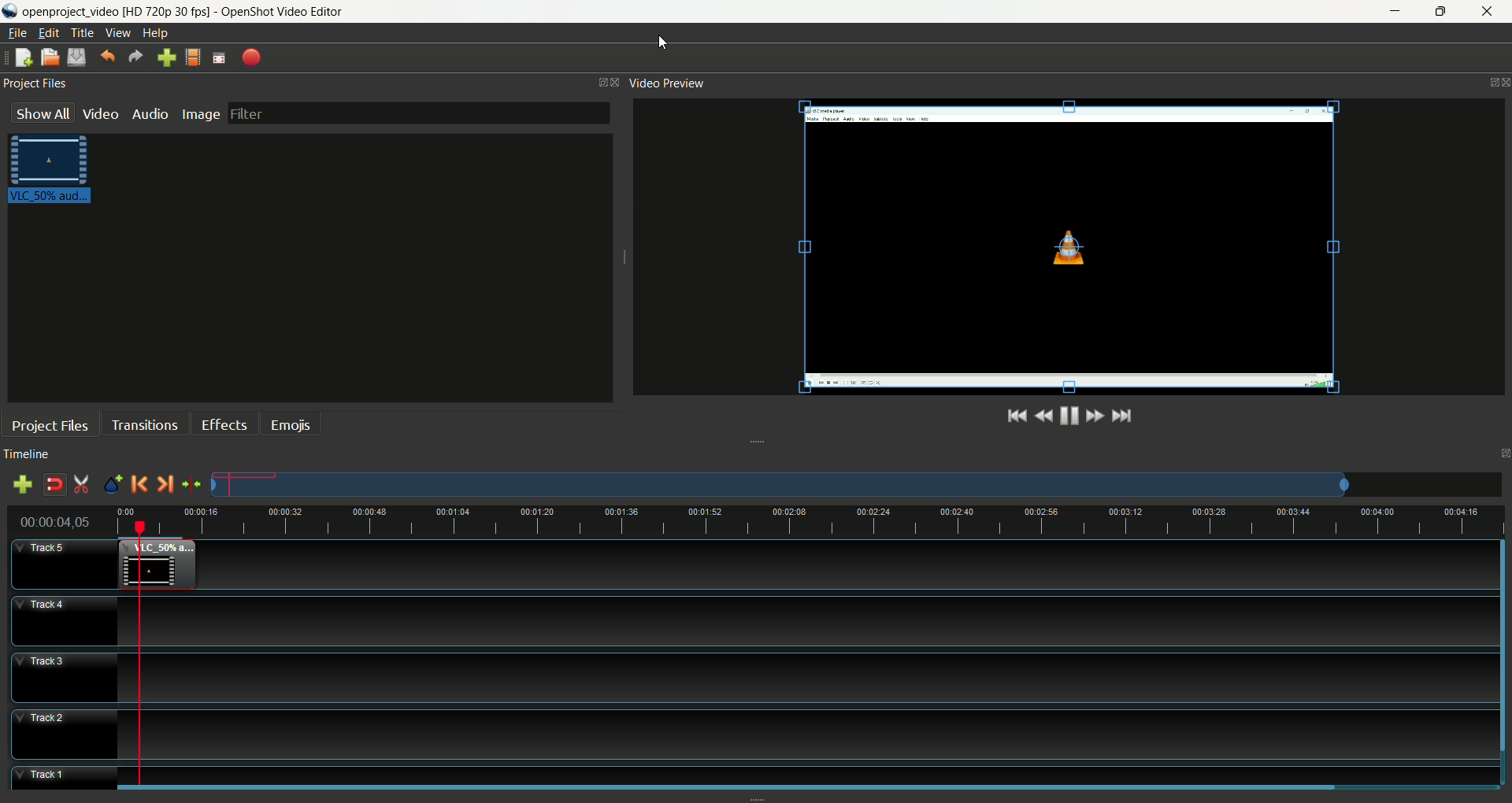 This screenshot has width=1512, height=803. What do you see at coordinates (82, 485) in the screenshot?
I see `enable razor` at bounding box center [82, 485].